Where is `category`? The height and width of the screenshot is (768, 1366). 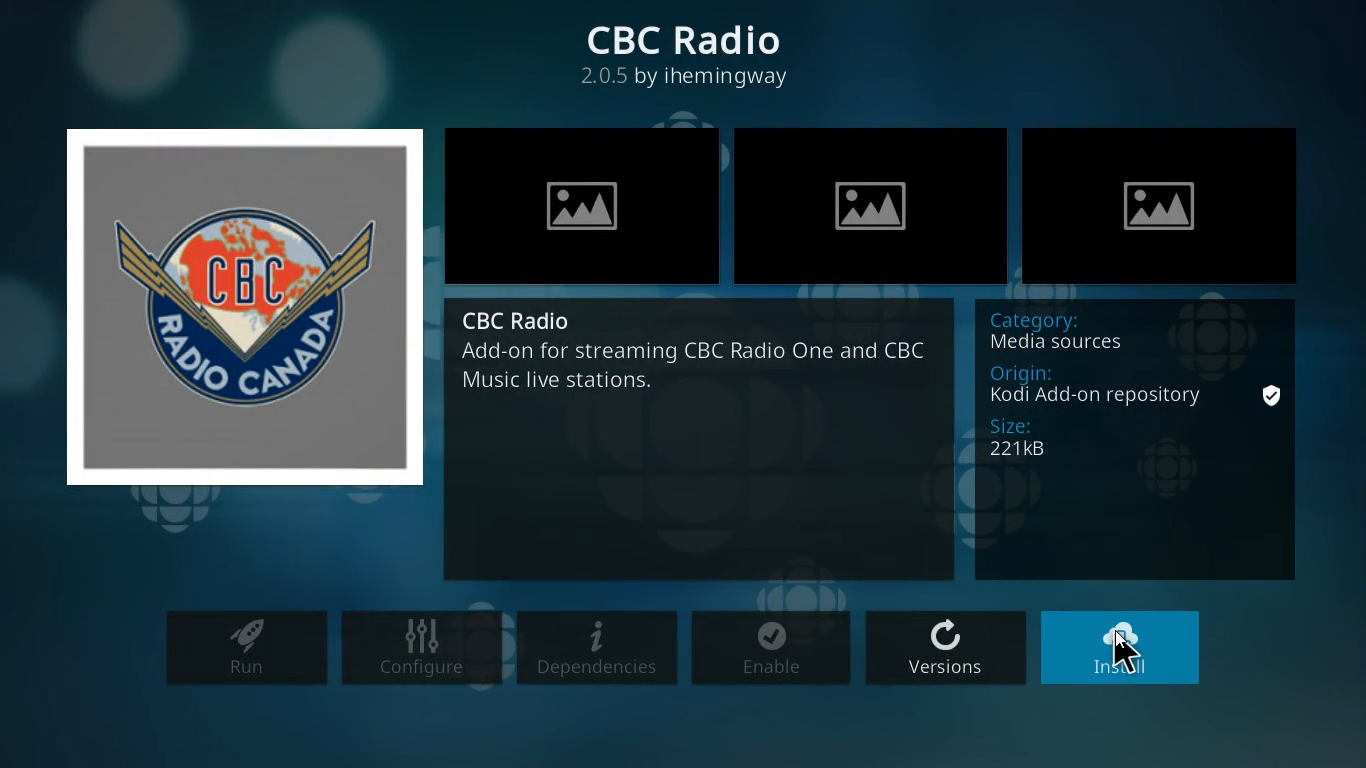
category is located at coordinates (1073, 334).